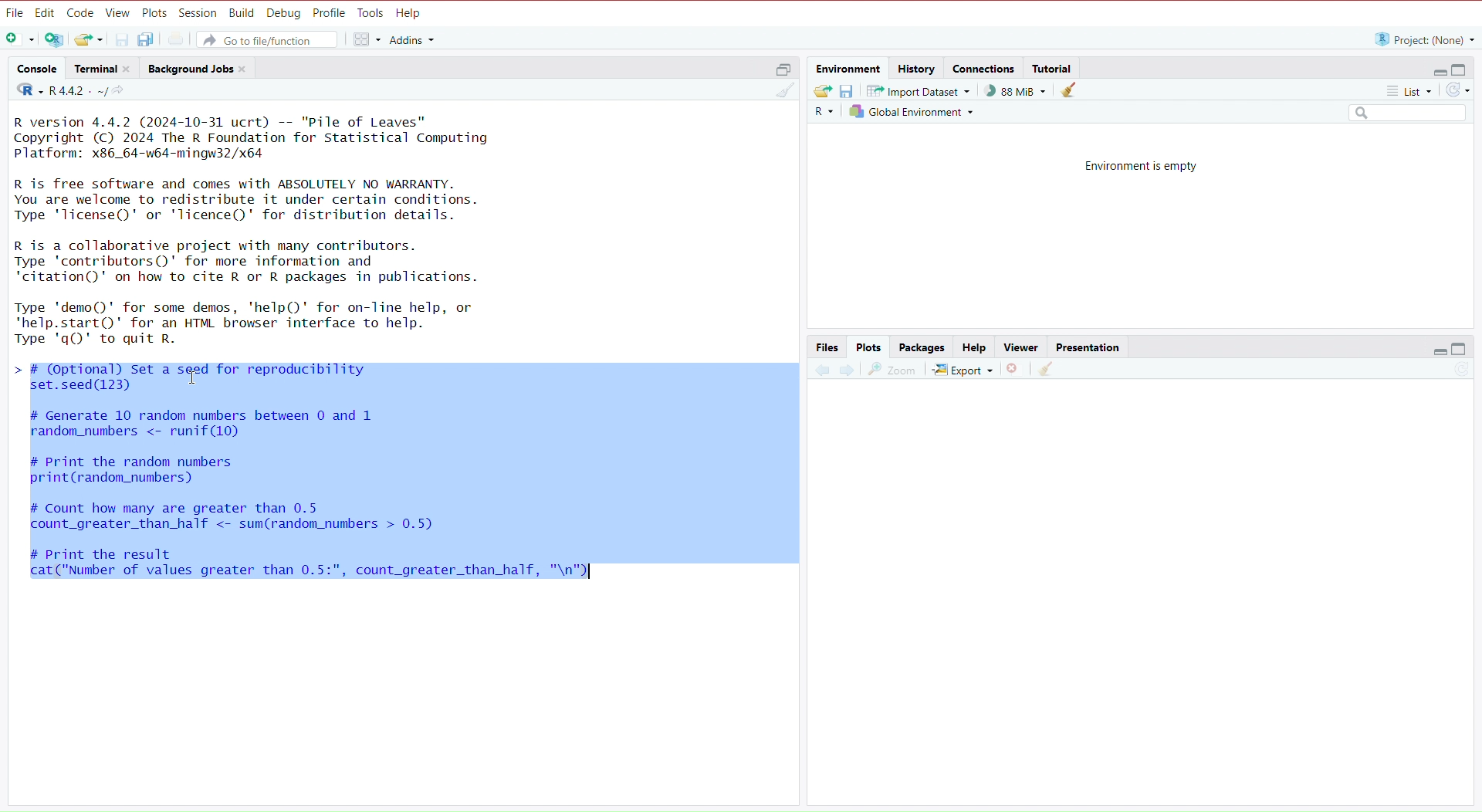 This screenshot has width=1482, height=812. What do you see at coordinates (155, 12) in the screenshot?
I see `Plots` at bounding box center [155, 12].